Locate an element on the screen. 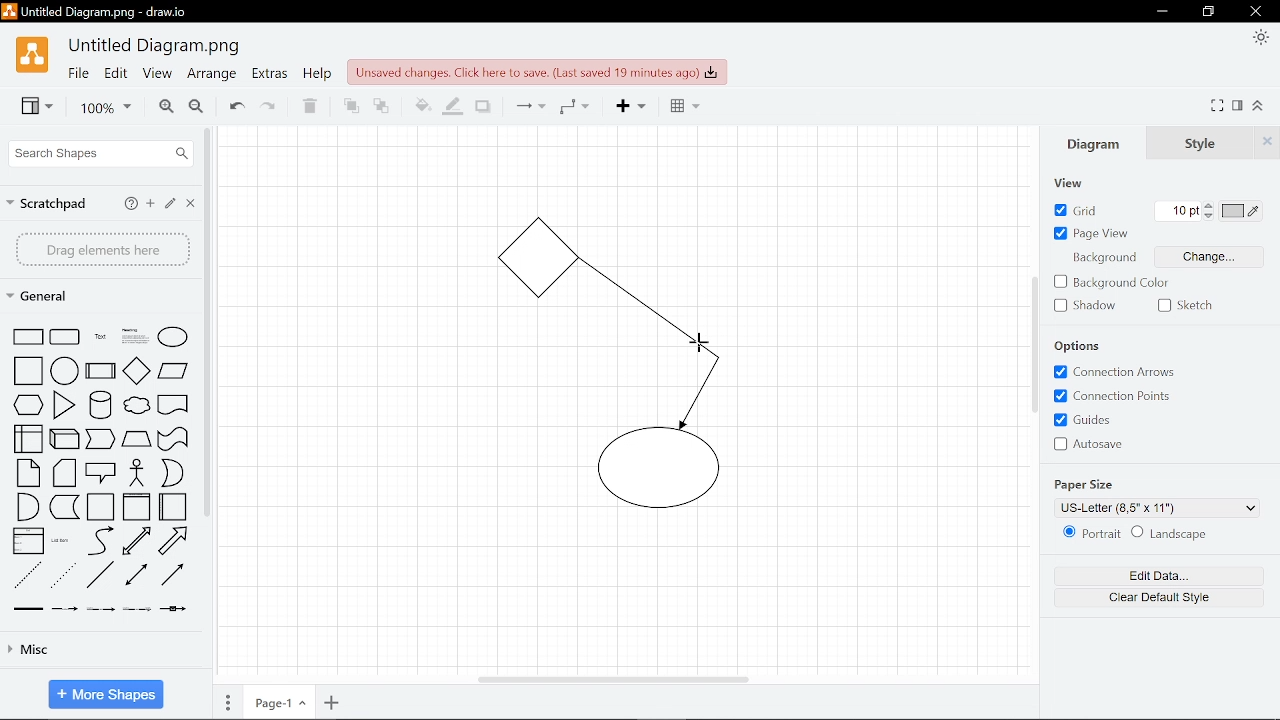  radio button is located at coordinates (1136, 532).